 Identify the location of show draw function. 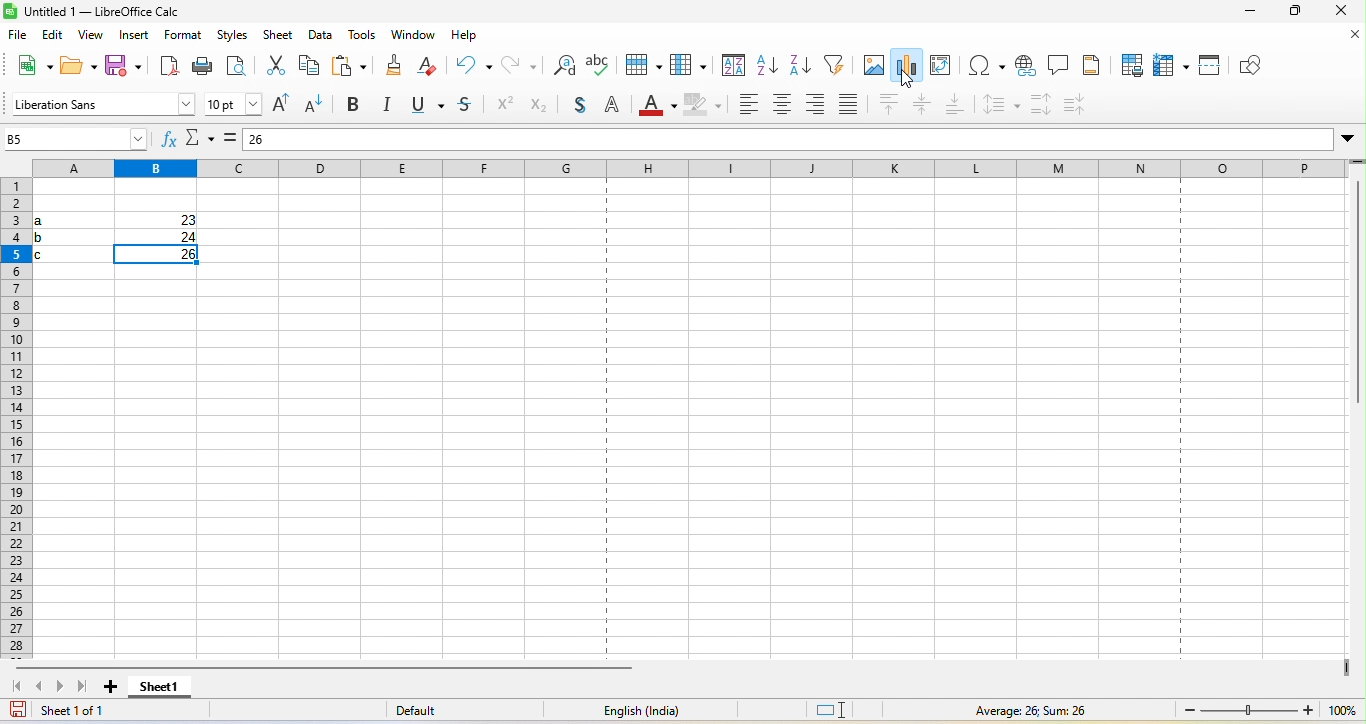
(1255, 62).